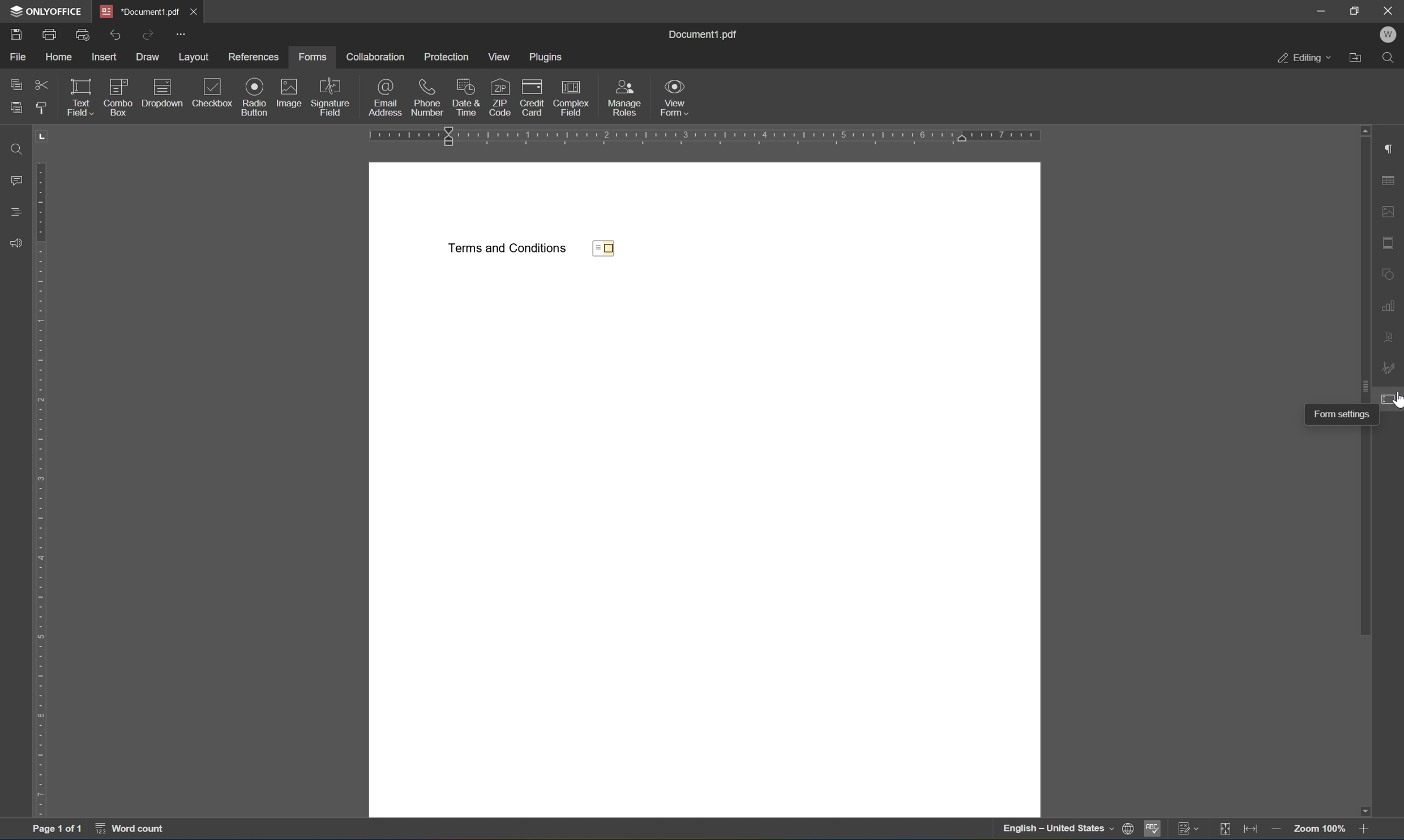 The image size is (1404, 840). Describe the element at coordinates (606, 248) in the screenshot. I see `checkbox` at that location.